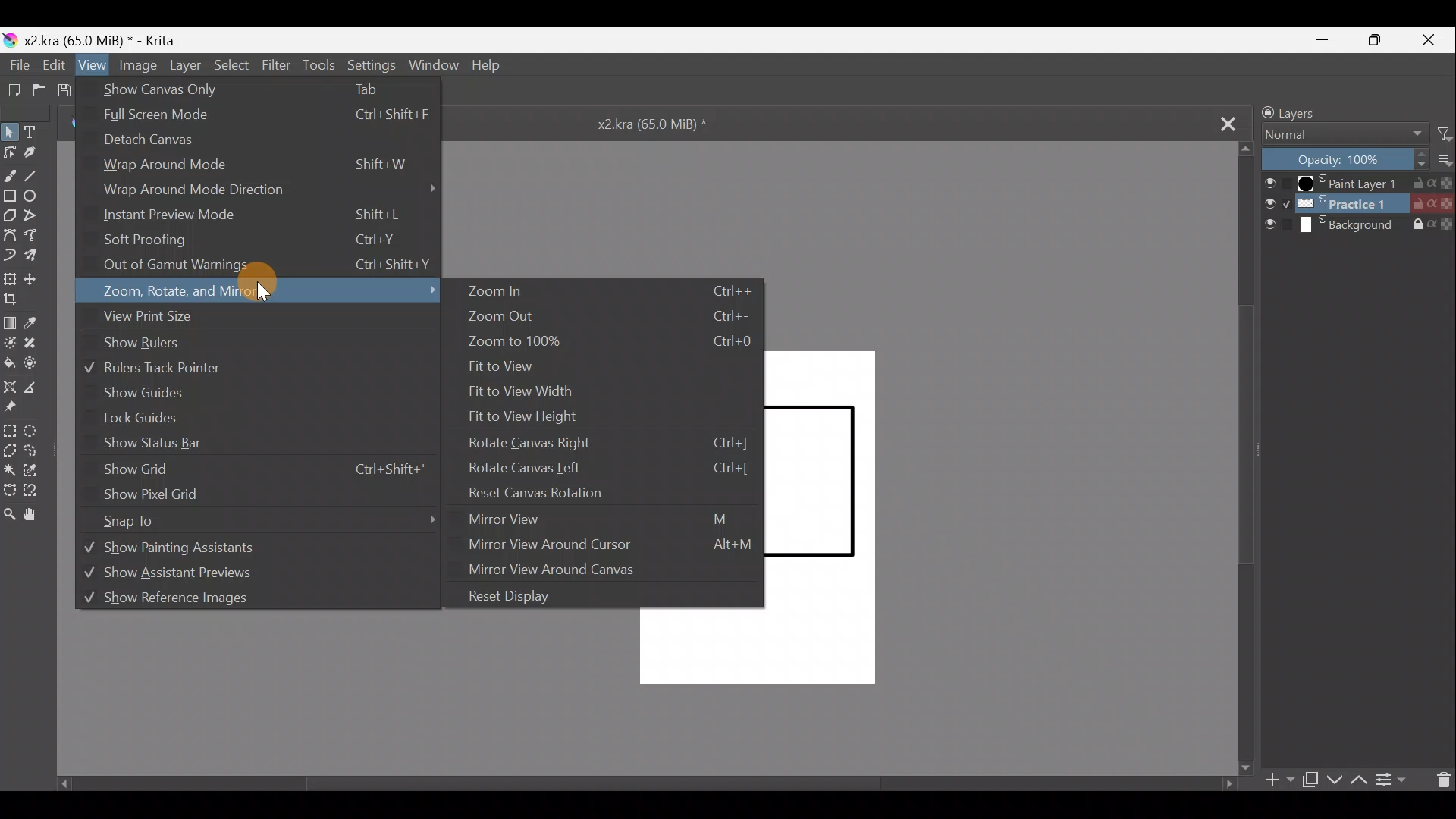 The height and width of the screenshot is (819, 1456). What do you see at coordinates (37, 152) in the screenshot?
I see `Calligraphy` at bounding box center [37, 152].